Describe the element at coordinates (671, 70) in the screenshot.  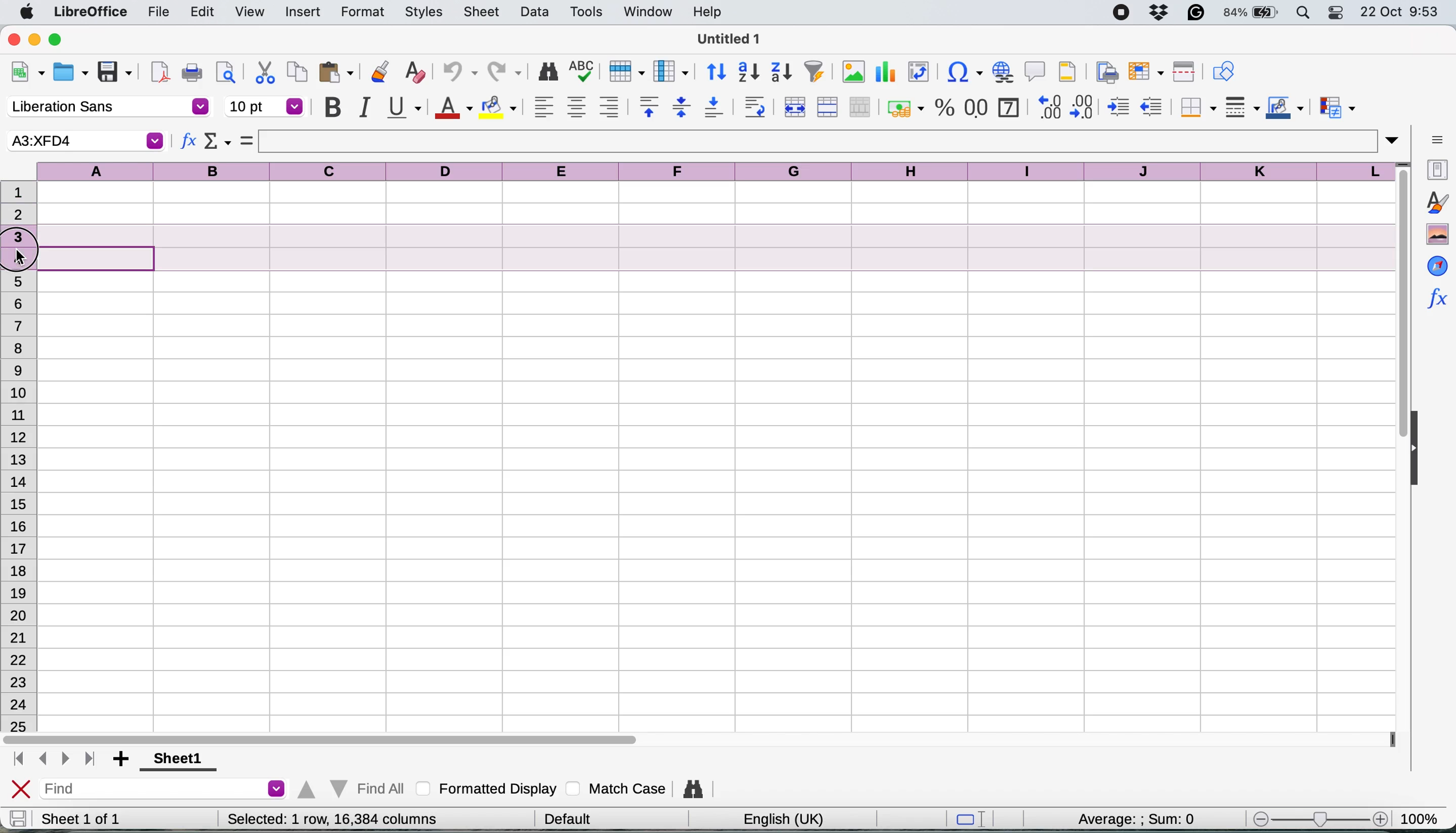
I see `column` at that location.